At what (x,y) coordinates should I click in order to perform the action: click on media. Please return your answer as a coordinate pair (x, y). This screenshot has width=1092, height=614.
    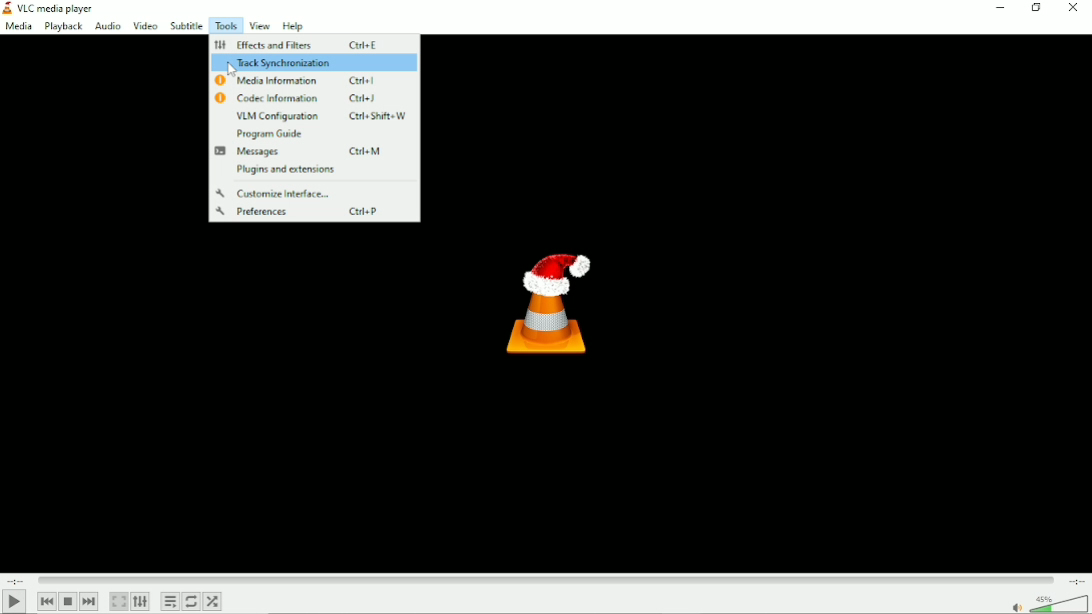
    Looking at the image, I should click on (20, 27).